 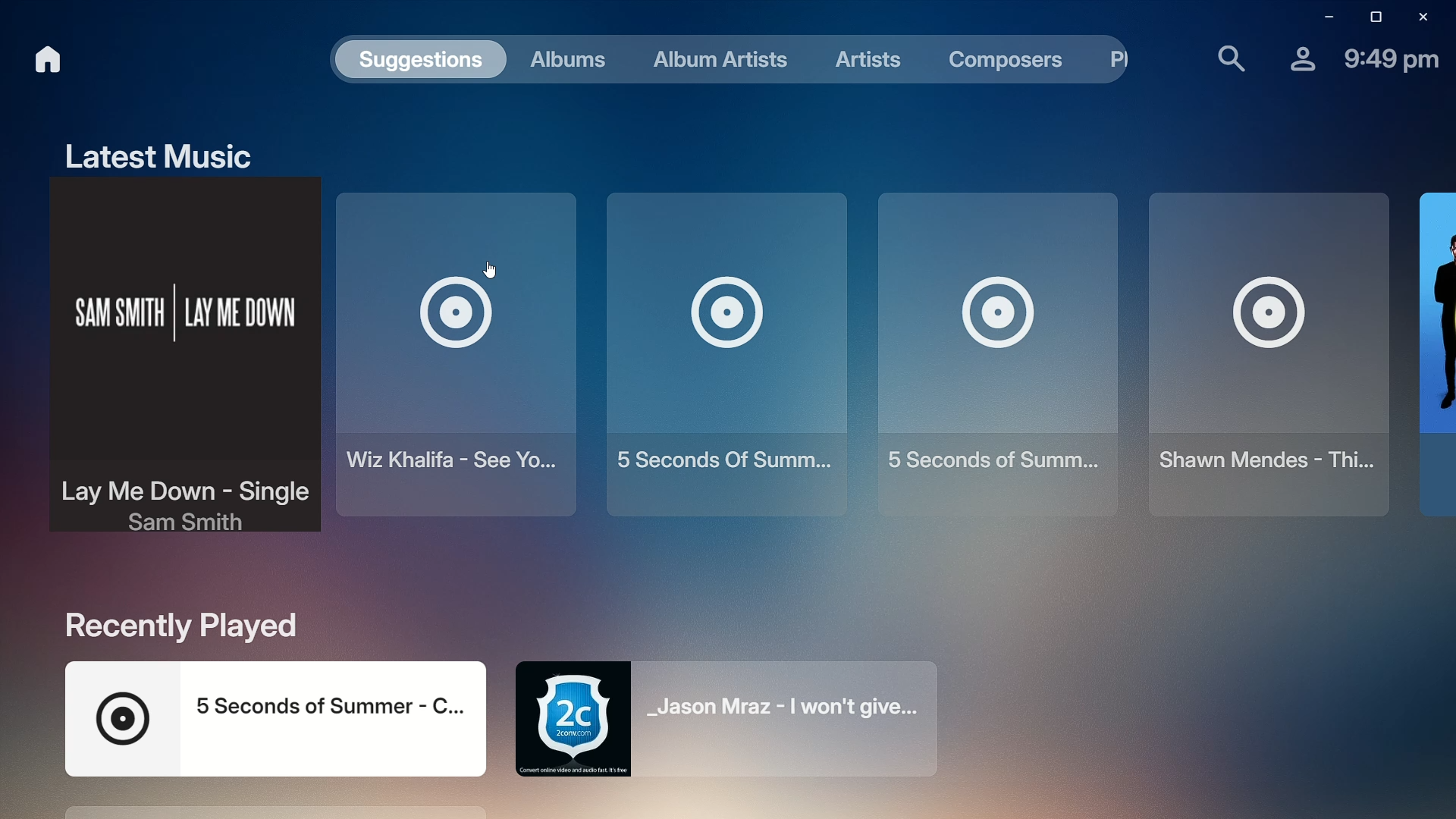 What do you see at coordinates (994, 62) in the screenshot?
I see `Composers` at bounding box center [994, 62].